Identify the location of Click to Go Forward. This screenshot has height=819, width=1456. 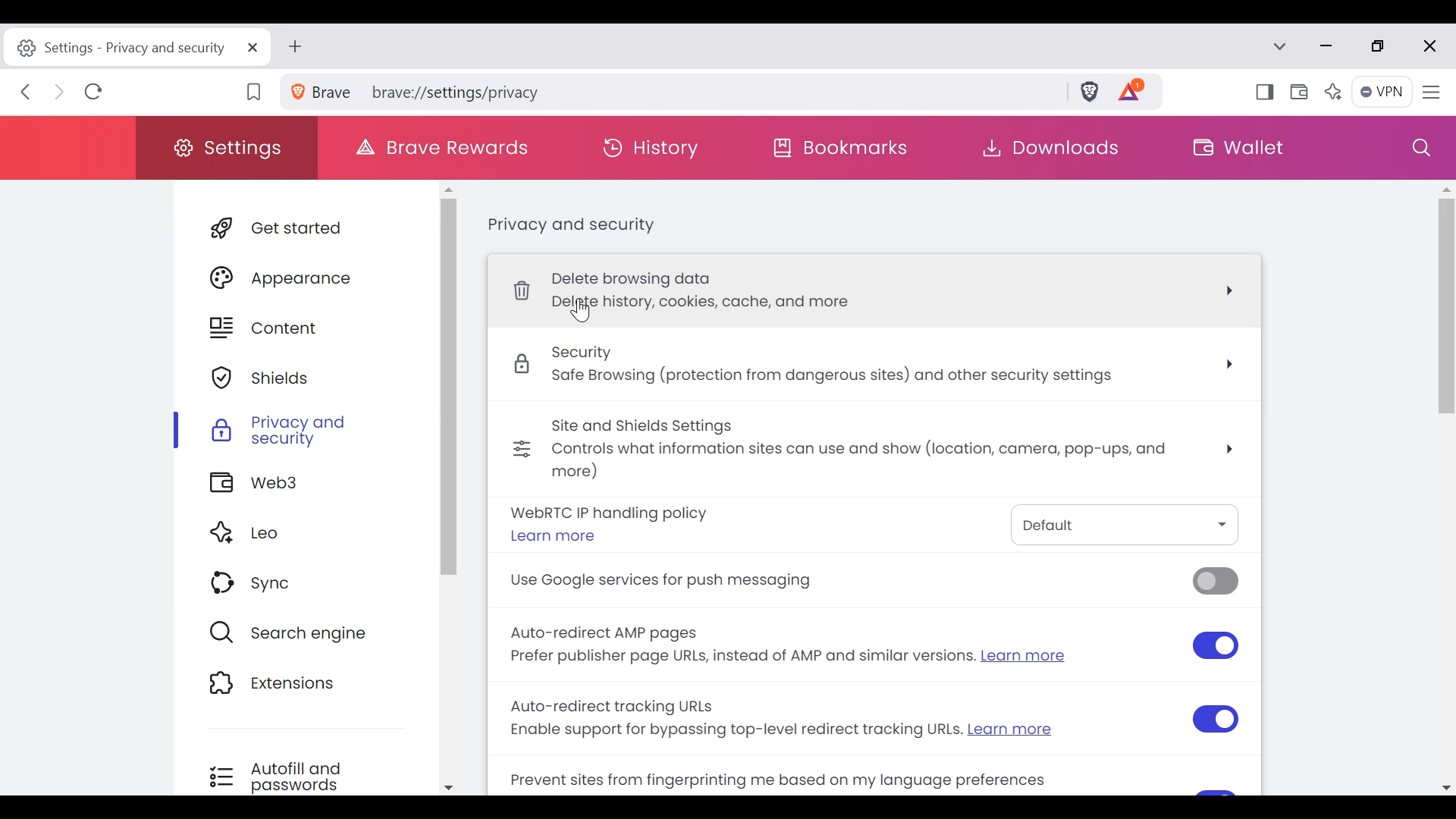
(60, 95).